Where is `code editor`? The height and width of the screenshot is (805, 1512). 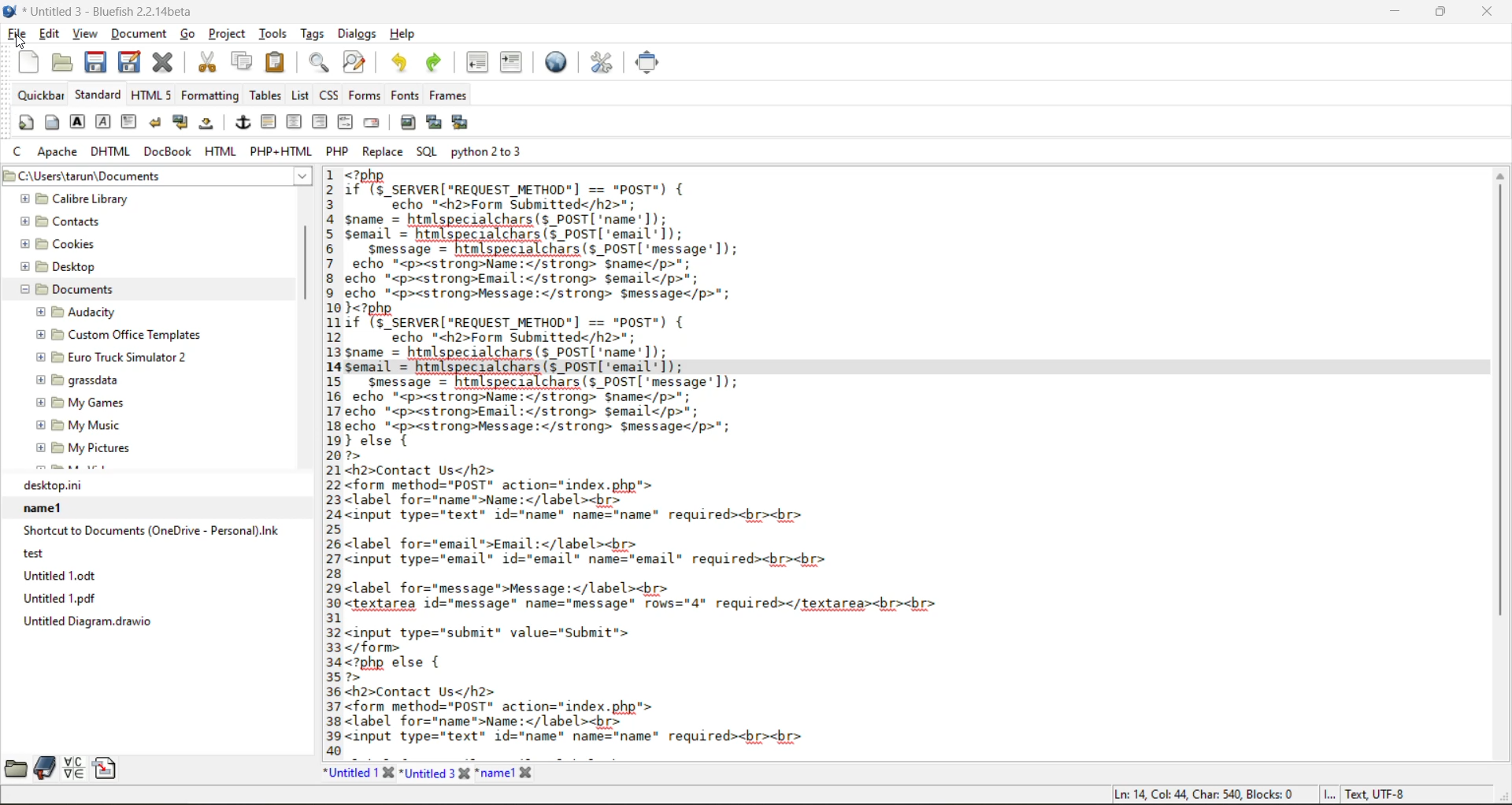 code editor is located at coordinates (784, 458).